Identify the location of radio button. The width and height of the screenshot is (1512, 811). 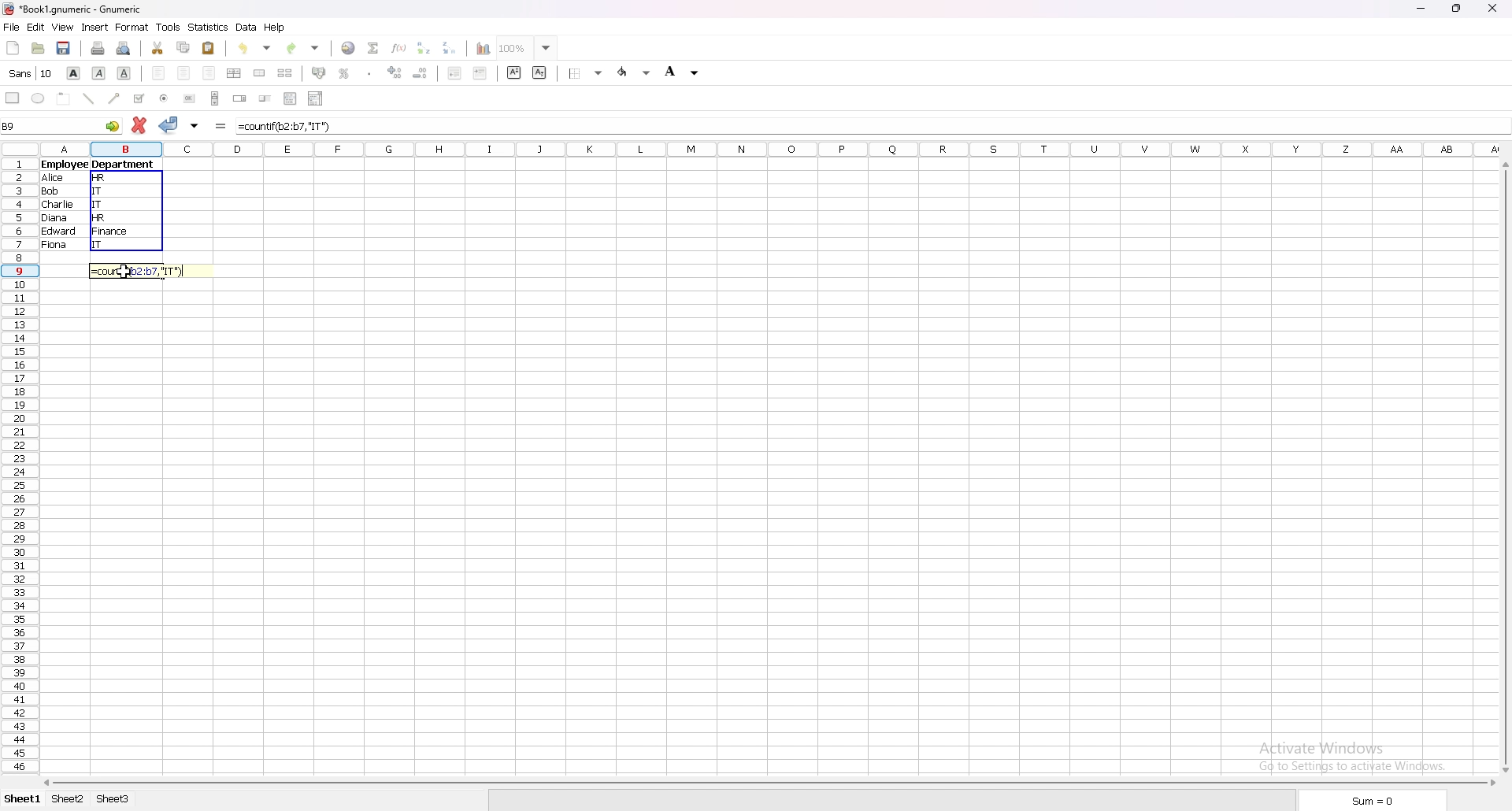
(164, 98).